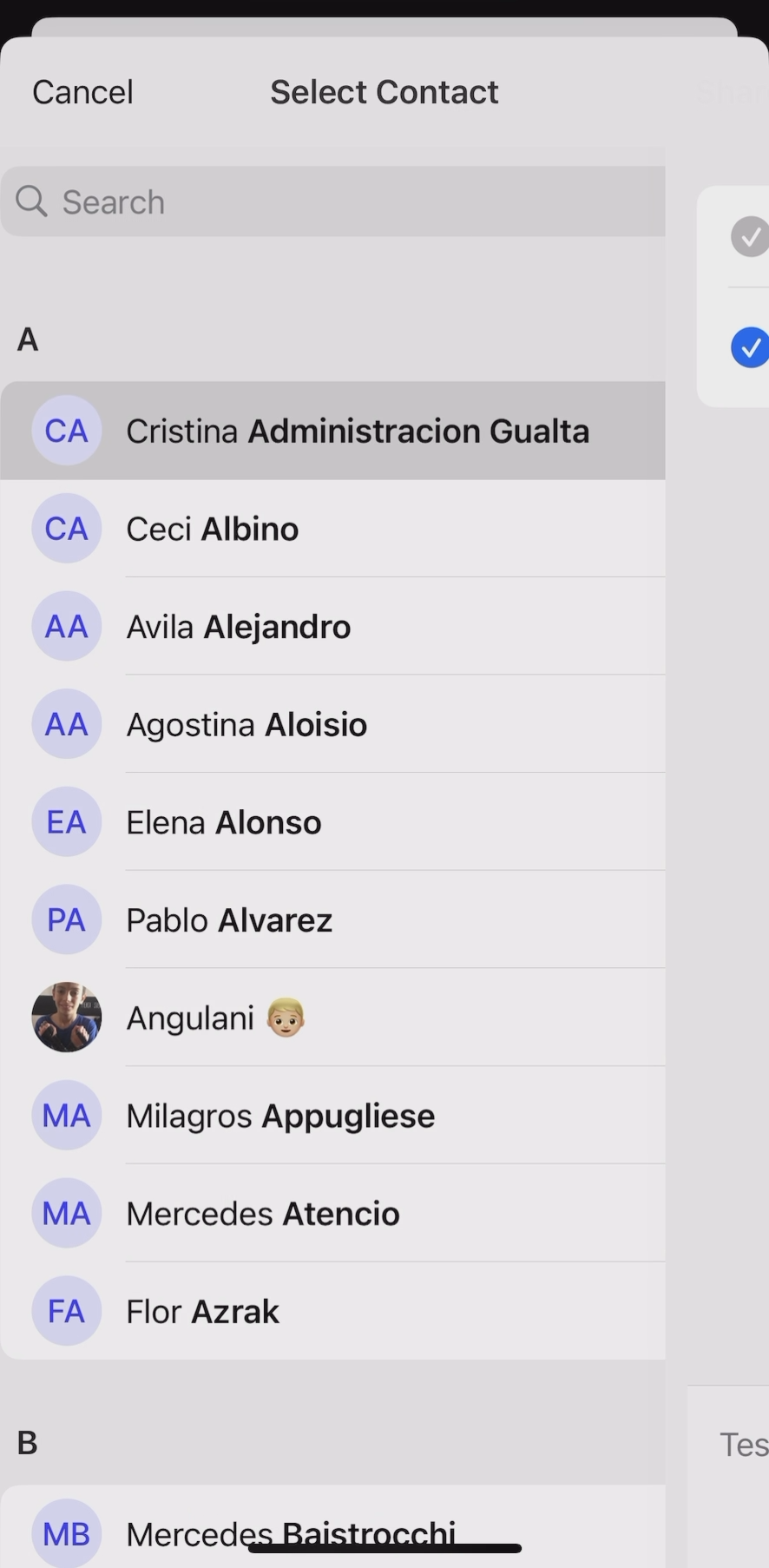 The width and height of the screenshot is (769, 1568). I want to click on contact, so click(344, 89).